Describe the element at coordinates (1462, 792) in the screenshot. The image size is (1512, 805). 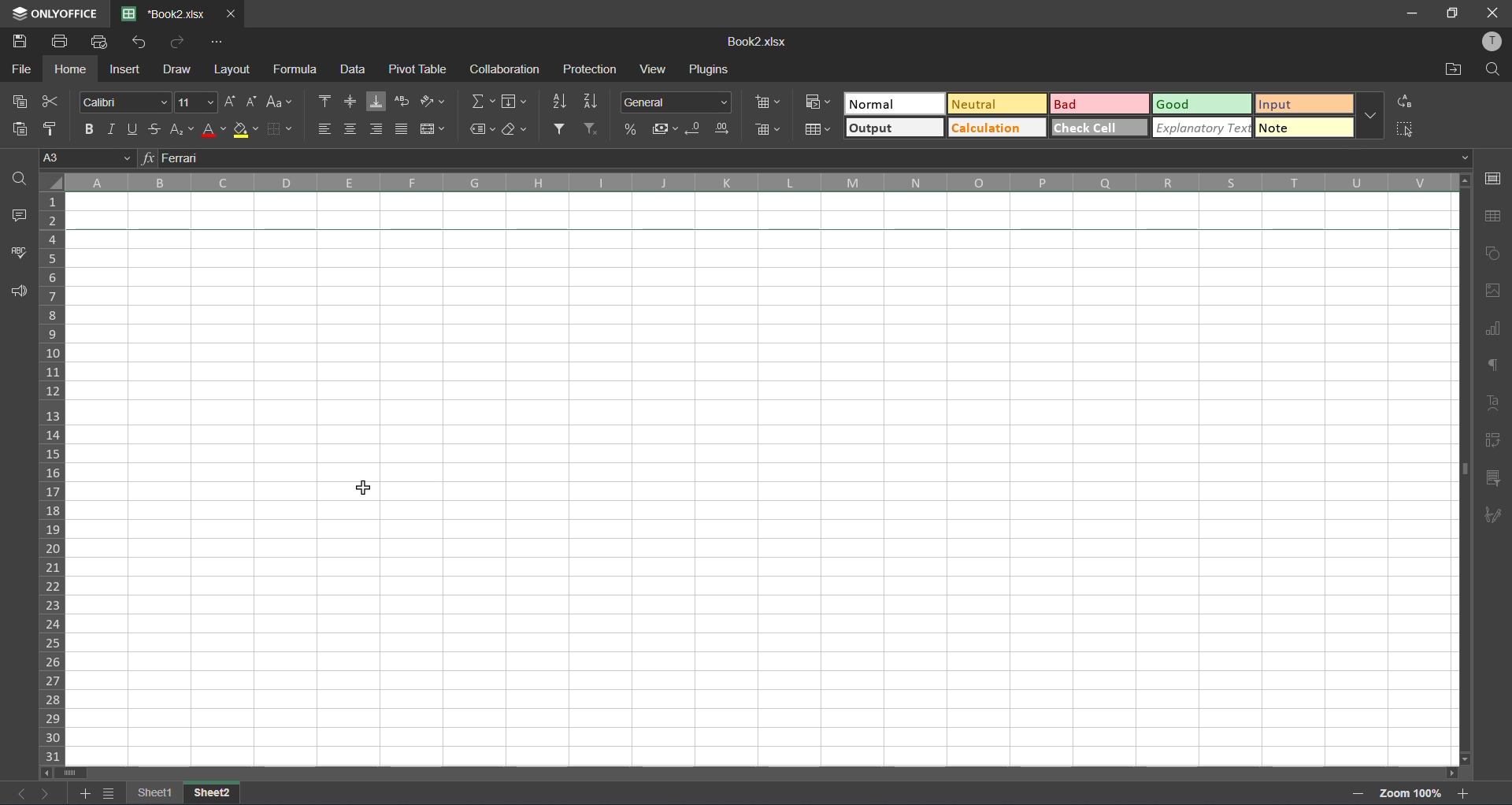
I see `zoom  in` at that location.